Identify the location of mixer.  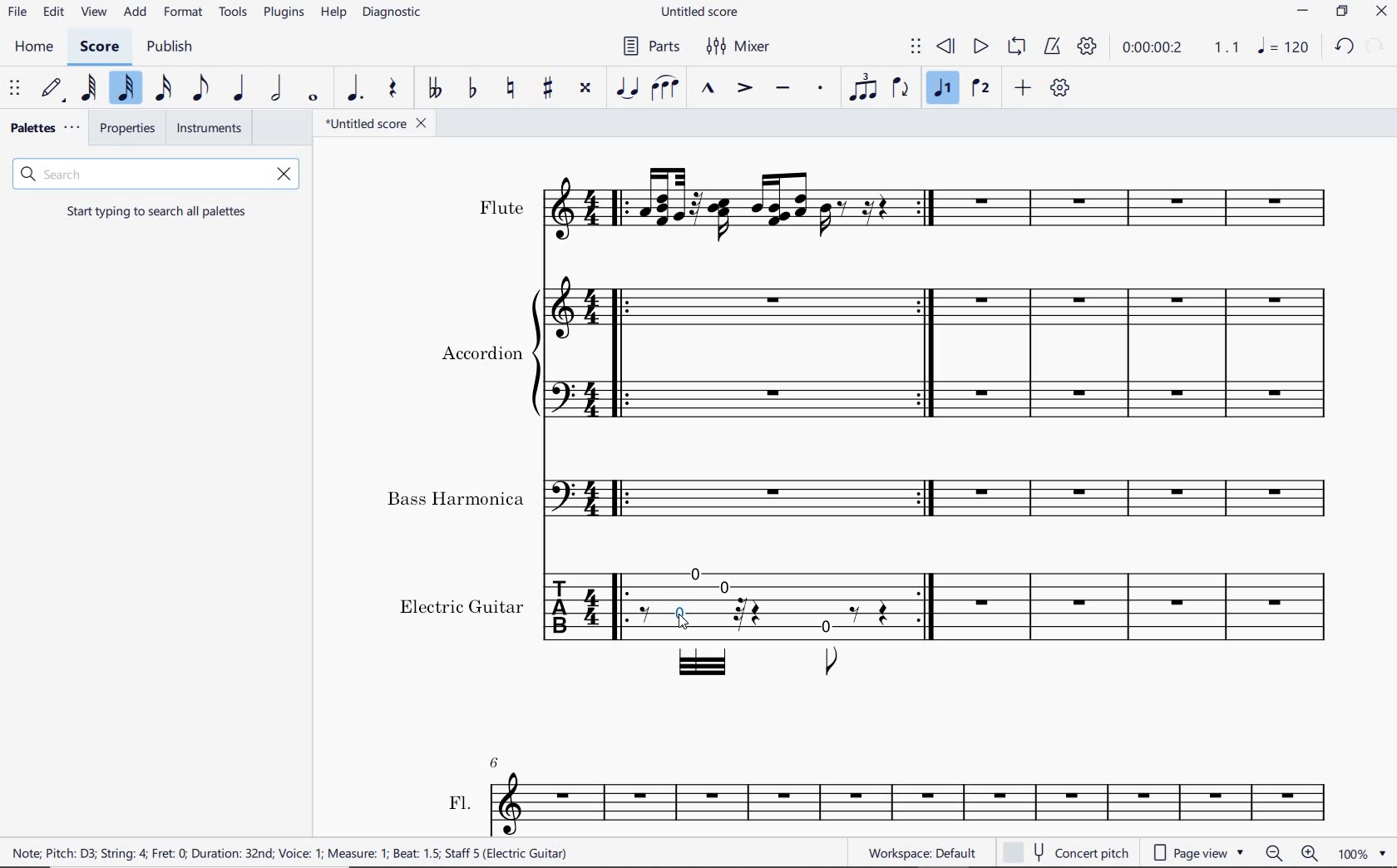
(739, 45).